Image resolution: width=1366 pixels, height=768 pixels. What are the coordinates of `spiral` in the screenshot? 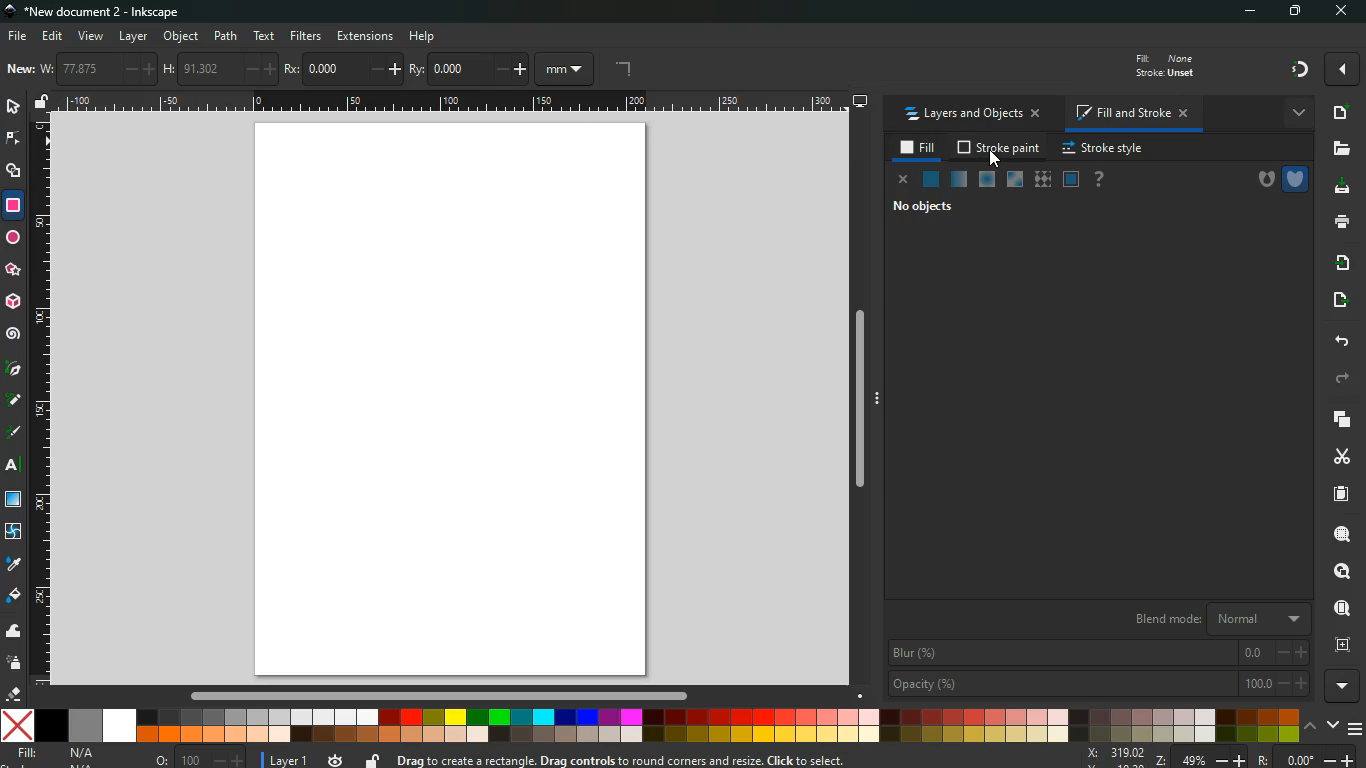 It's located at (15, 335).